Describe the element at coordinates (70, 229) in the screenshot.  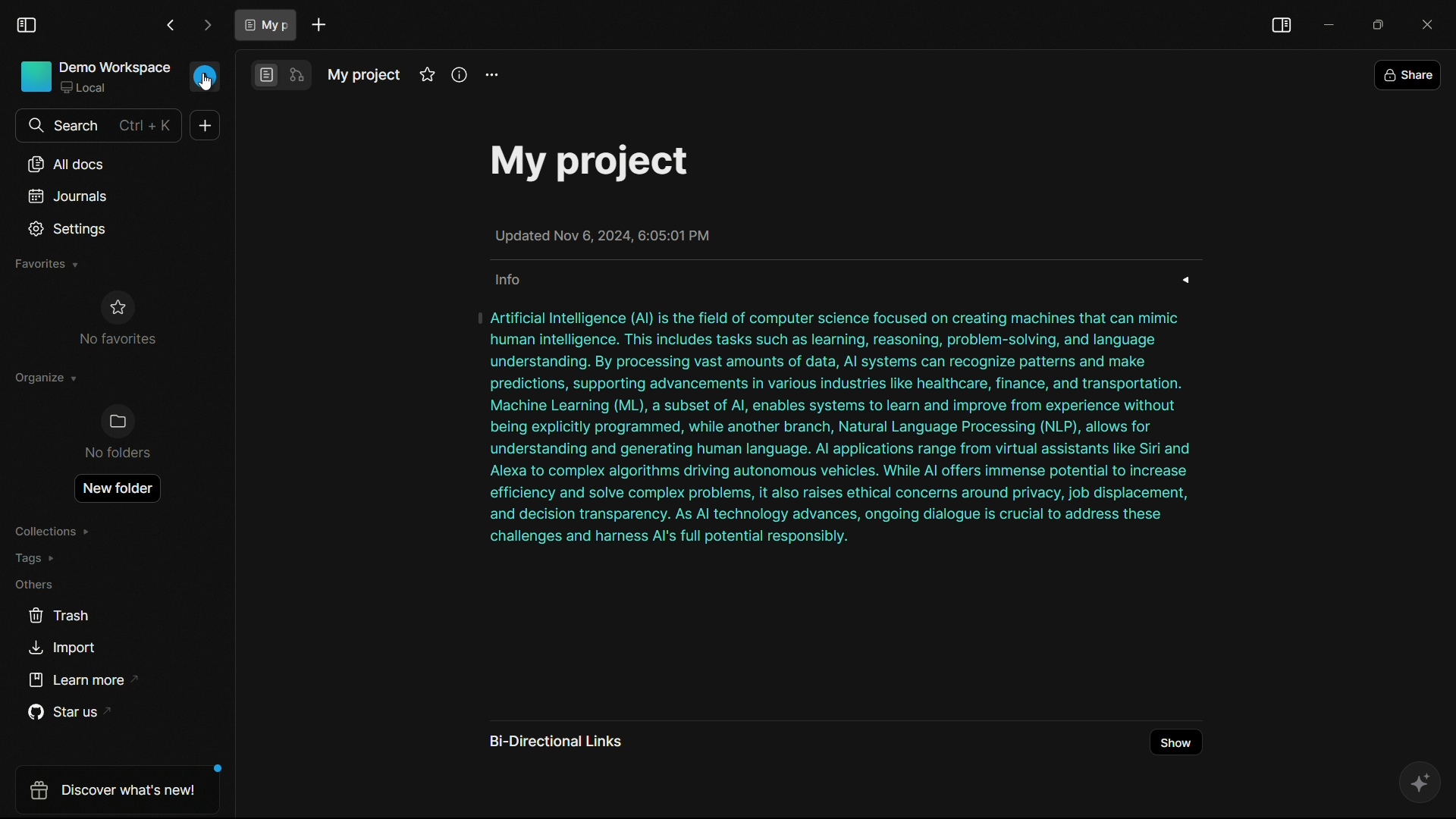
I see `settings` at that location.